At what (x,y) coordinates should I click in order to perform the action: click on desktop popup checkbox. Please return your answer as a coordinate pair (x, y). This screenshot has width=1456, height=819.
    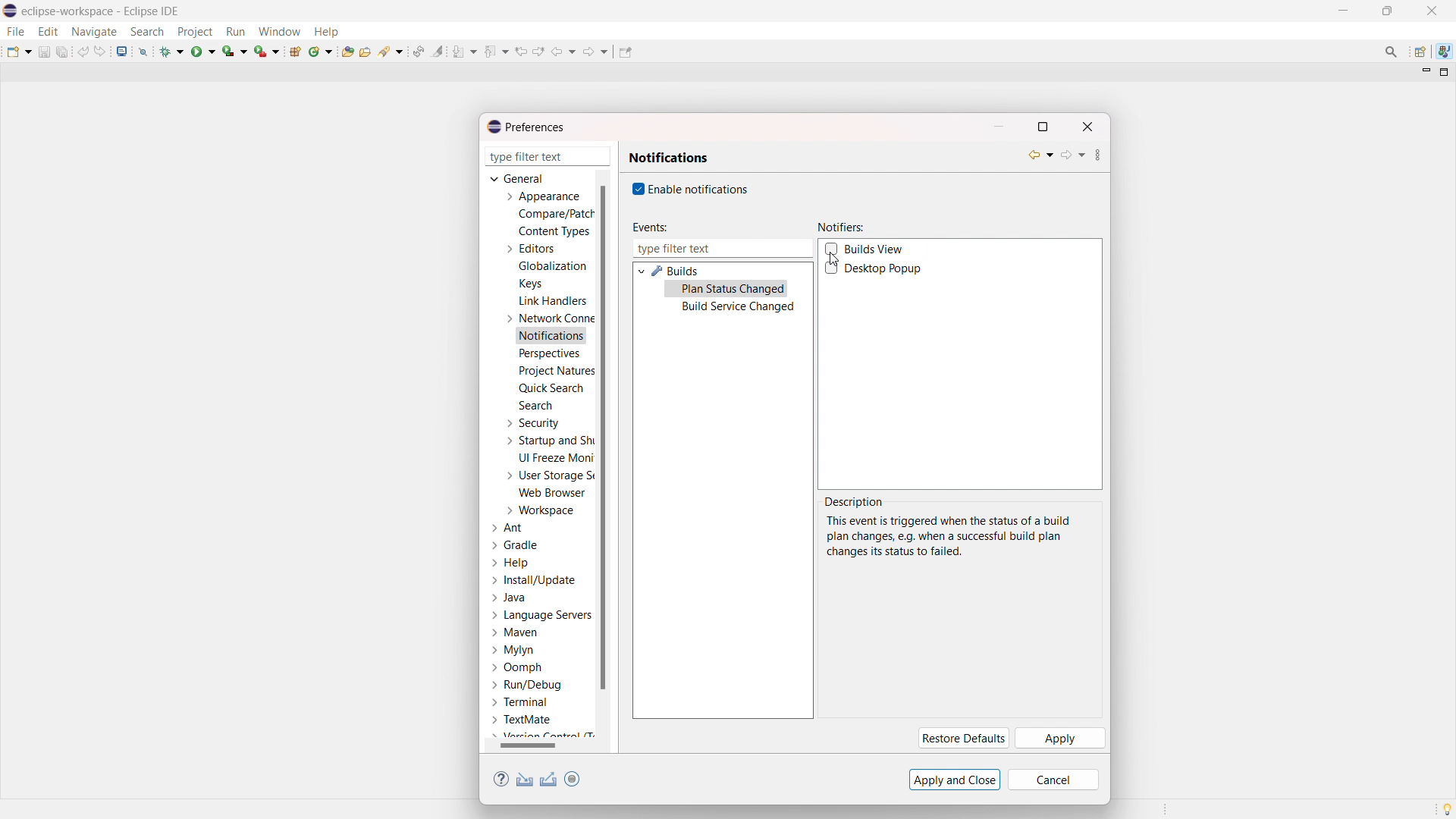
    Looking at the image, I should click on (886, 269).